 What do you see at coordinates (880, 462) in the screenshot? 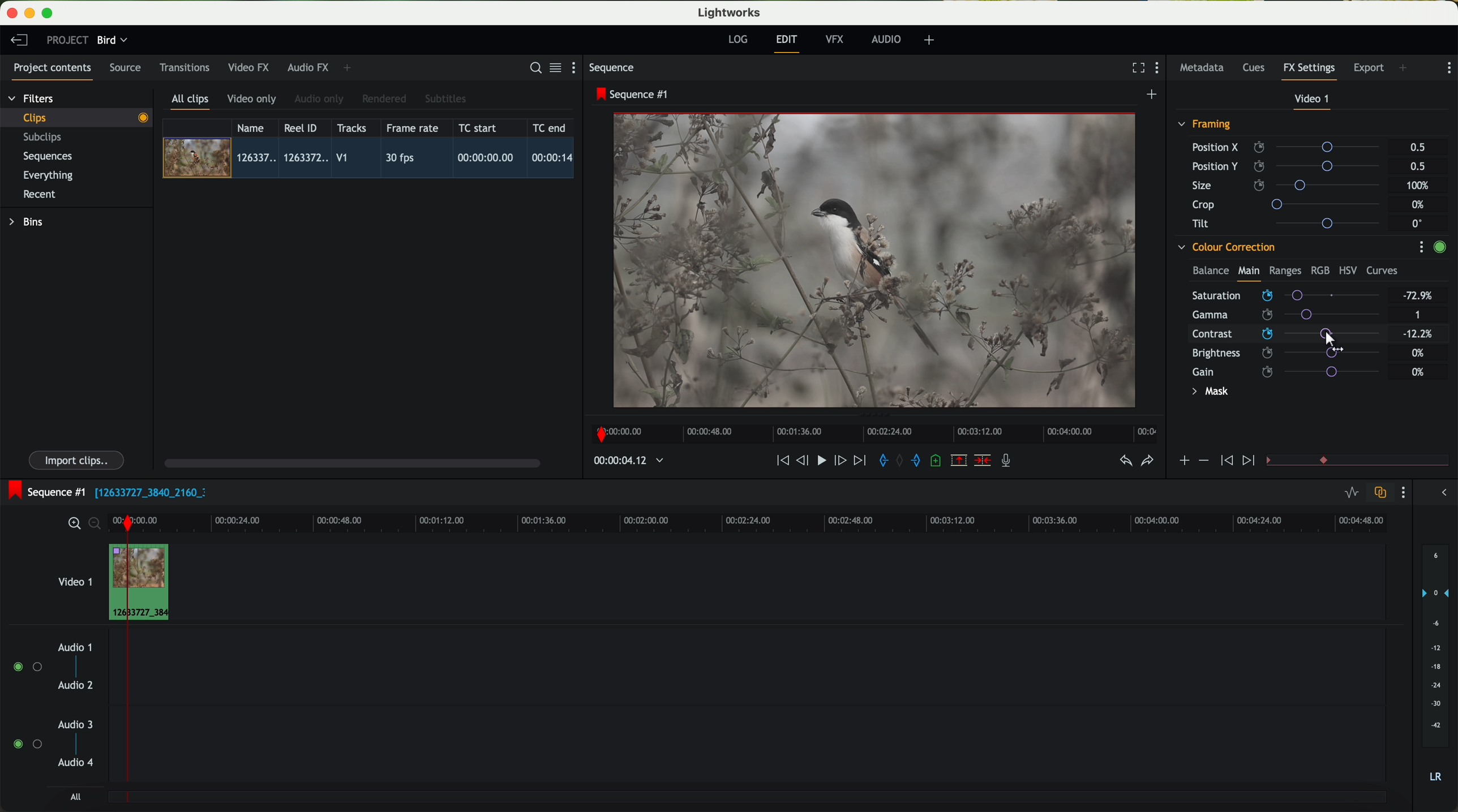
I see `add 'in' mark` at bounding box center [880, 462].